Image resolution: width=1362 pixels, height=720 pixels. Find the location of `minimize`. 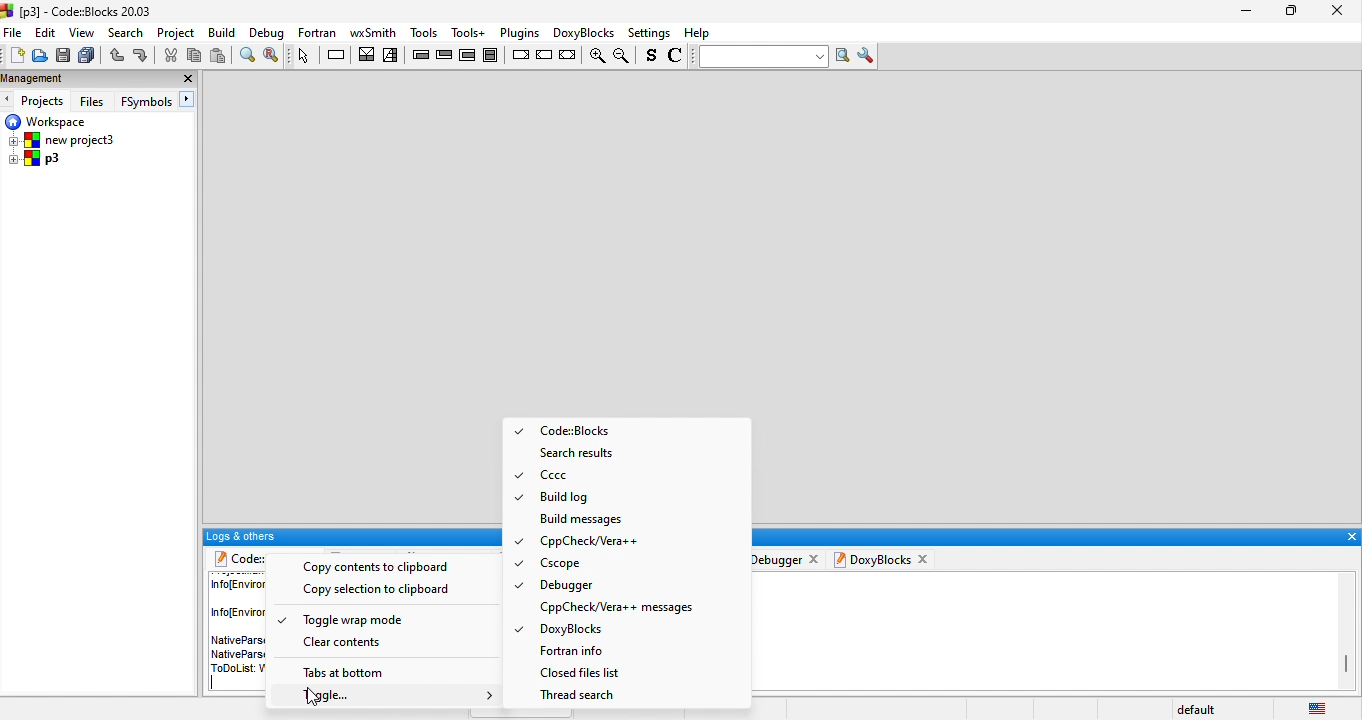

minimize is located at coordinates (1245, 13).